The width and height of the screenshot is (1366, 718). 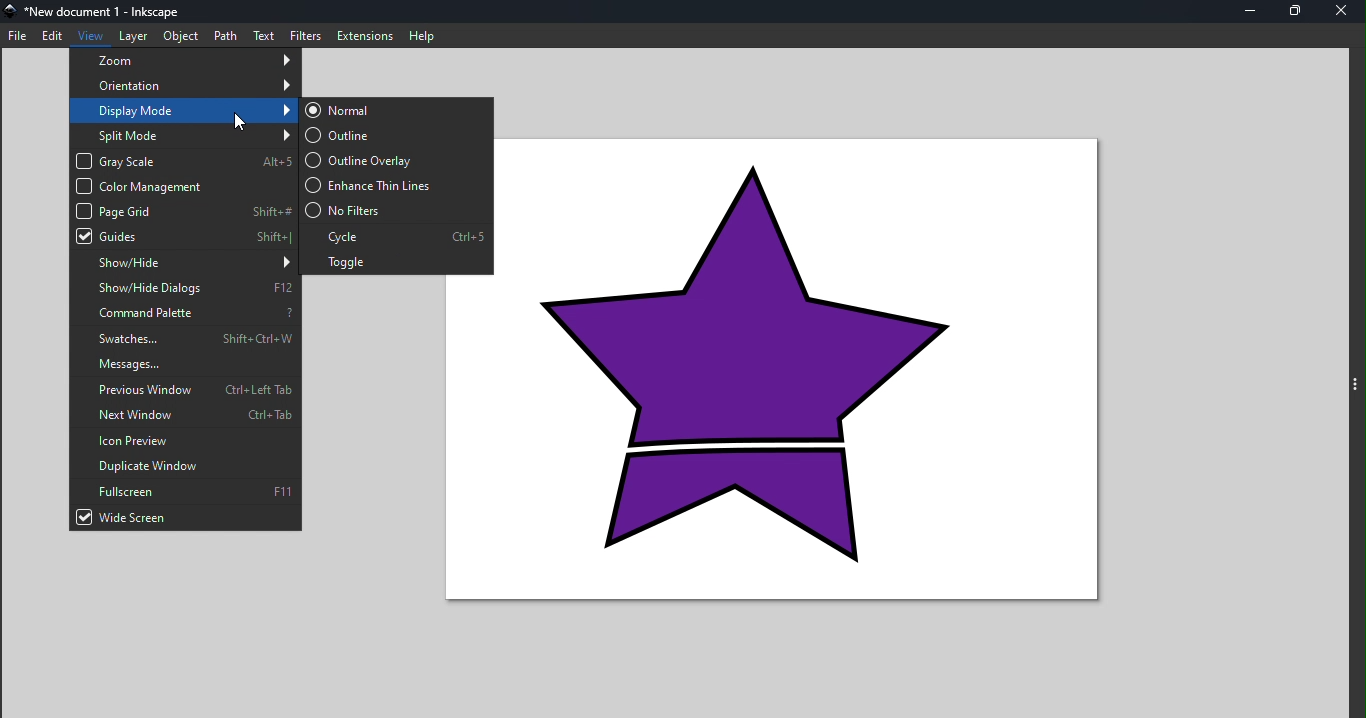 What do you see at coordinates (229, 32) in the screenshot?
I see `Path` at bounding box center [229, 32].